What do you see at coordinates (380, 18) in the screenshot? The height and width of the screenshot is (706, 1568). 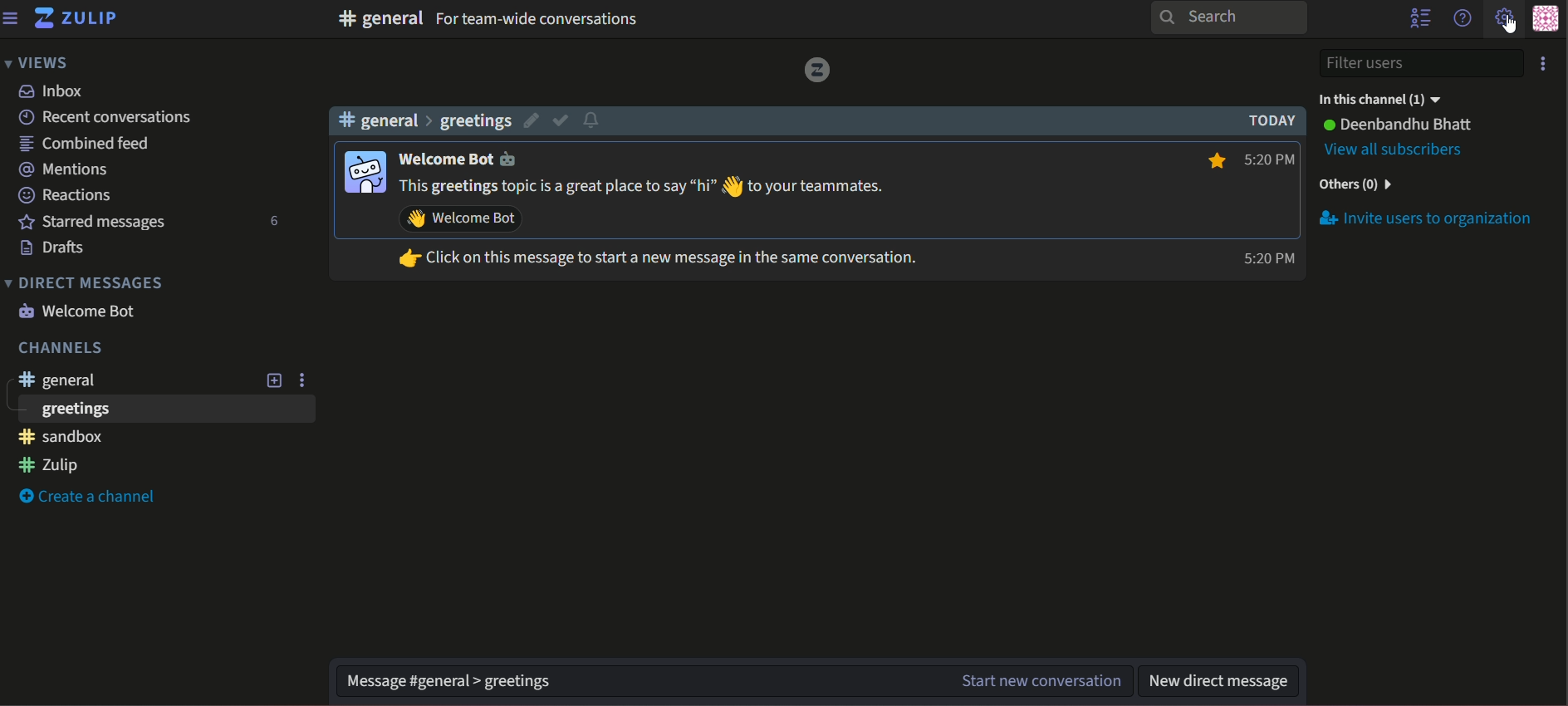 I see `general` at bounding box center [380, 18].